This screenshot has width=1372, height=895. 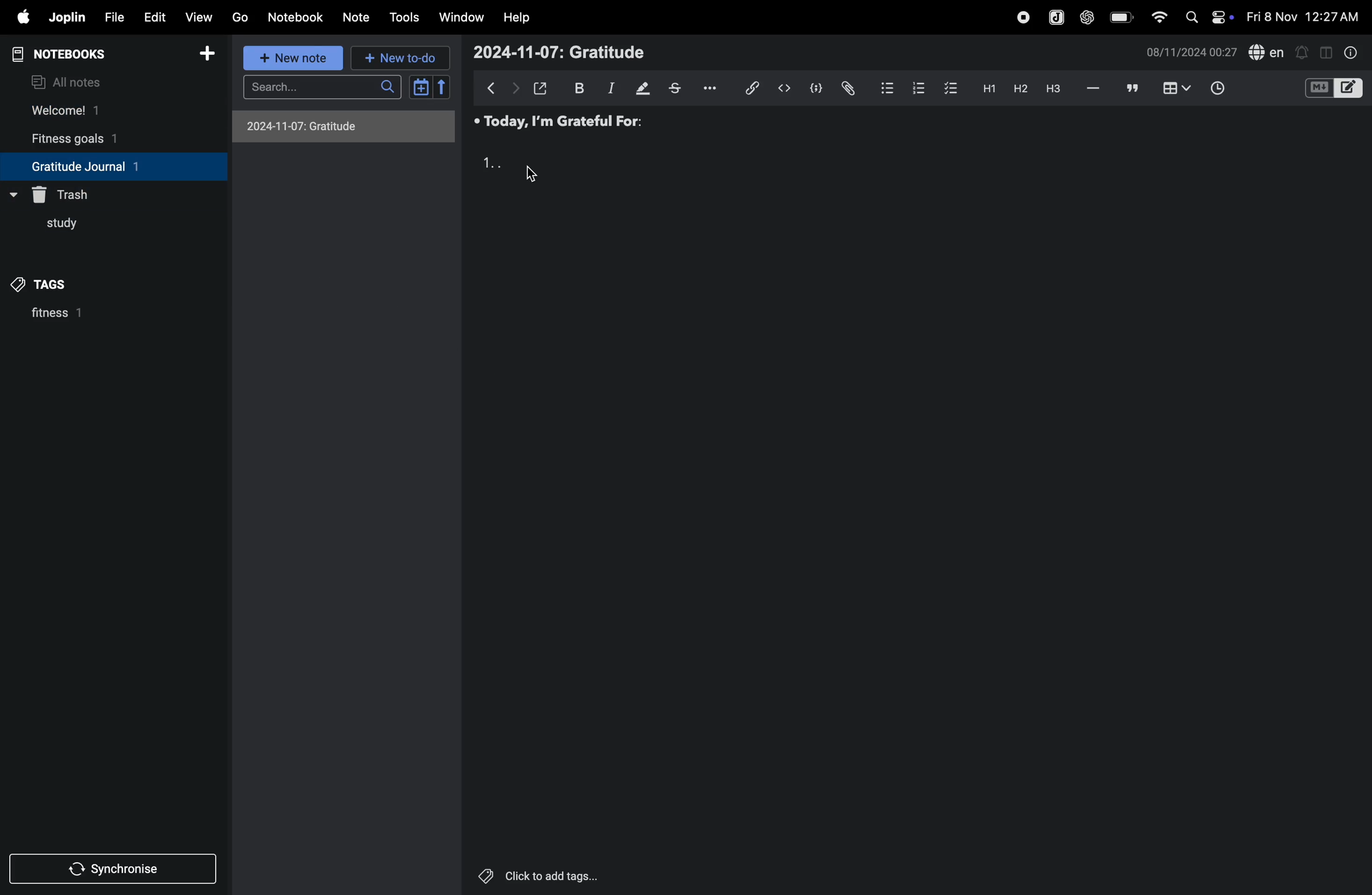 I want to click on wifi, so click(x=1158, y=18).